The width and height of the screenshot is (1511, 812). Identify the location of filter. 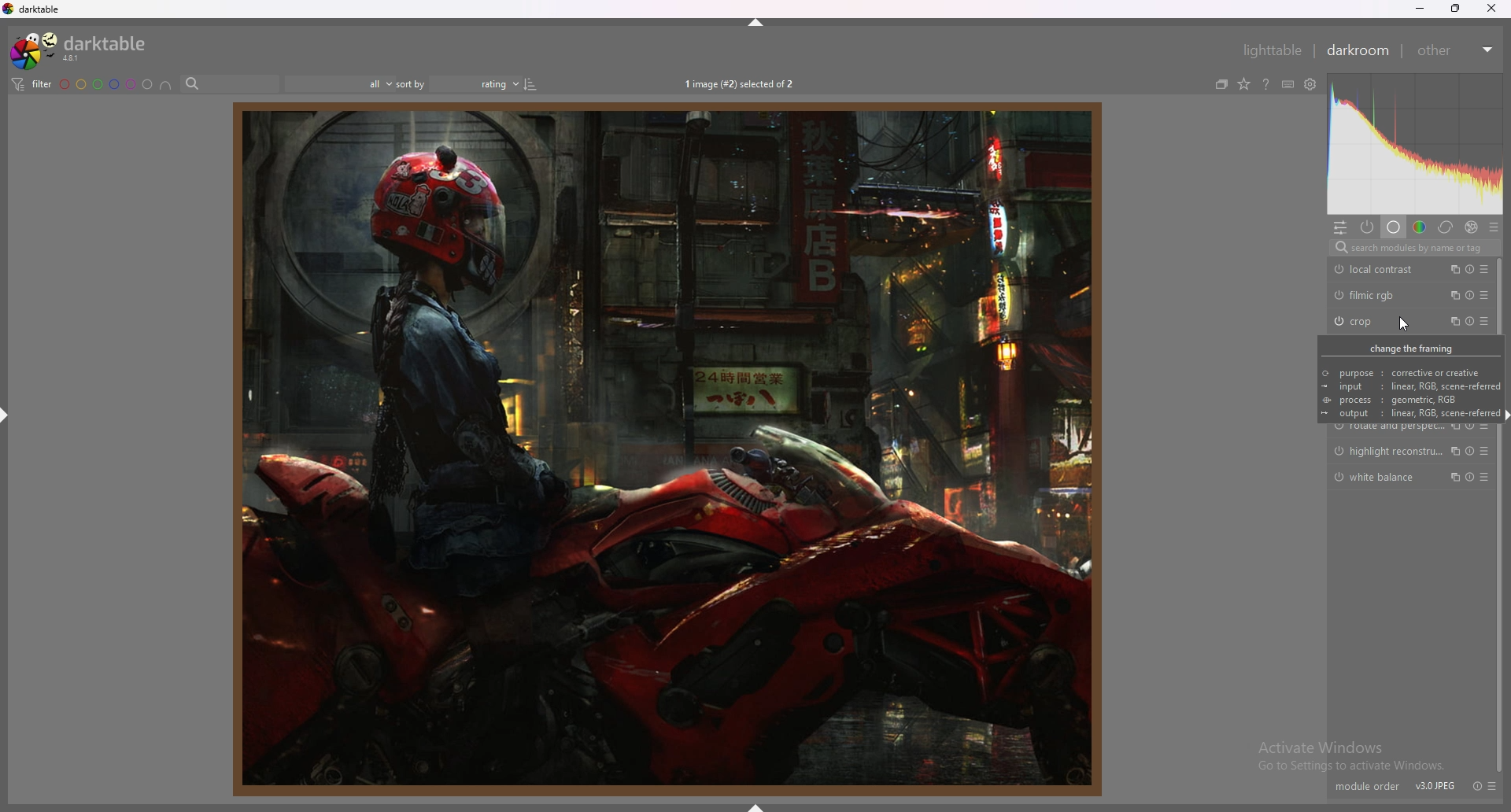
(31, 84).